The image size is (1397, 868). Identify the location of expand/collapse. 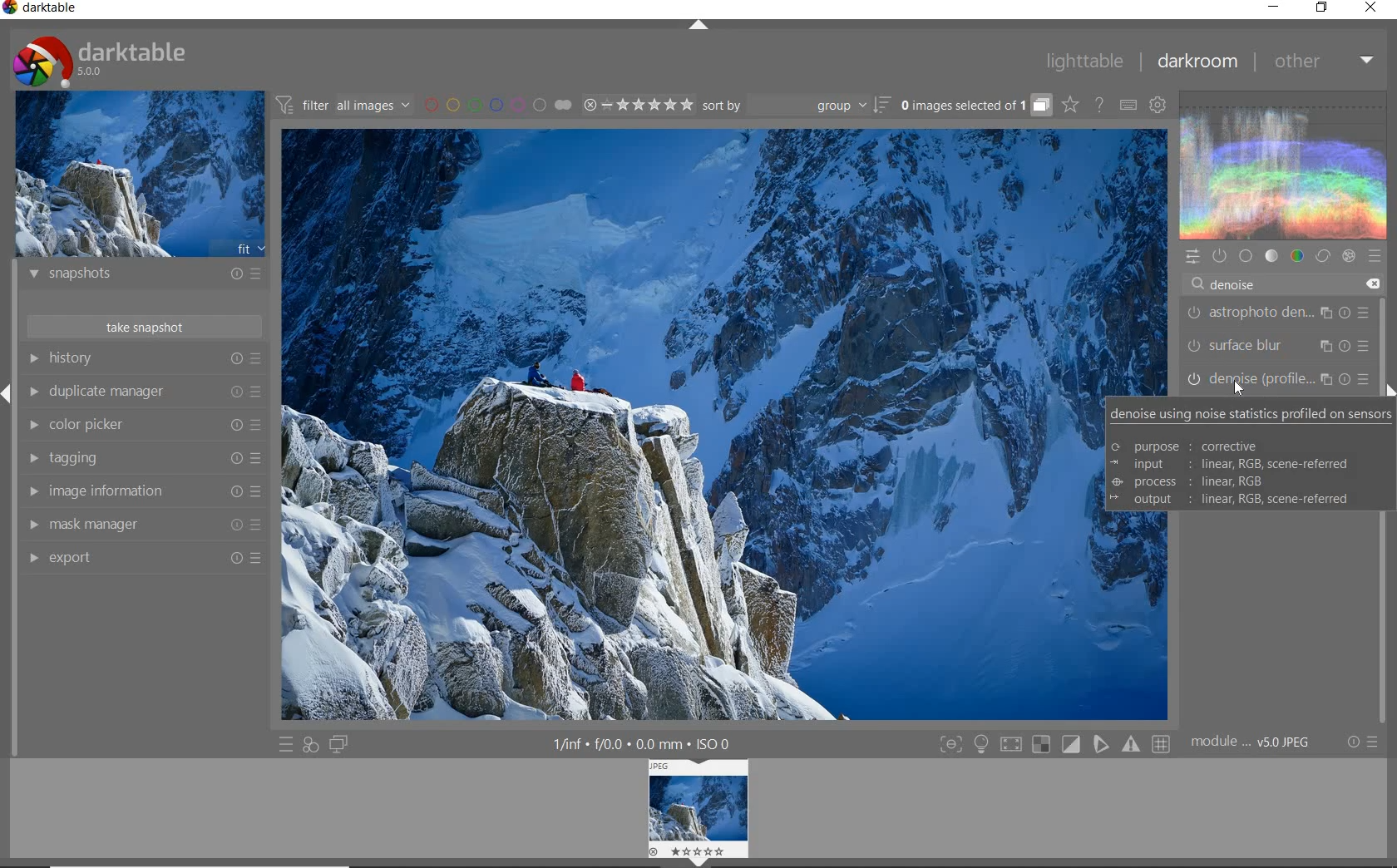
(697, 26).